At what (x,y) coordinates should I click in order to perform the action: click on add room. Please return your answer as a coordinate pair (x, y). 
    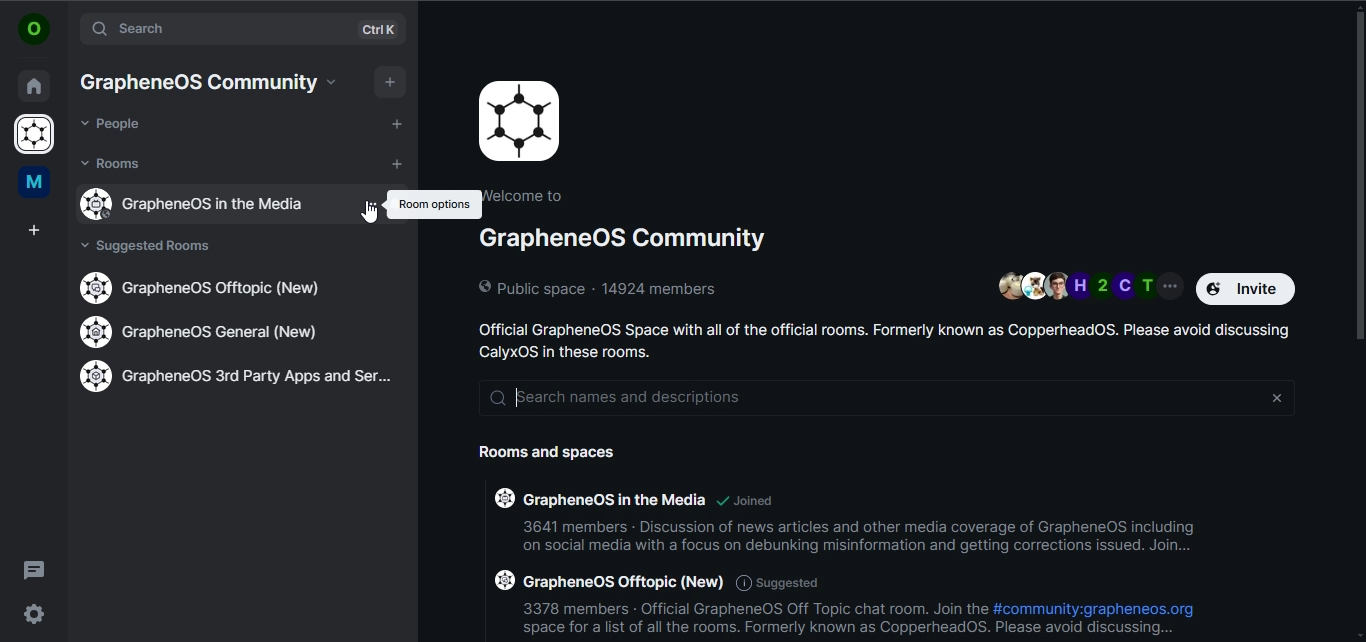
    Looking at the image, I should click on (400, 165).